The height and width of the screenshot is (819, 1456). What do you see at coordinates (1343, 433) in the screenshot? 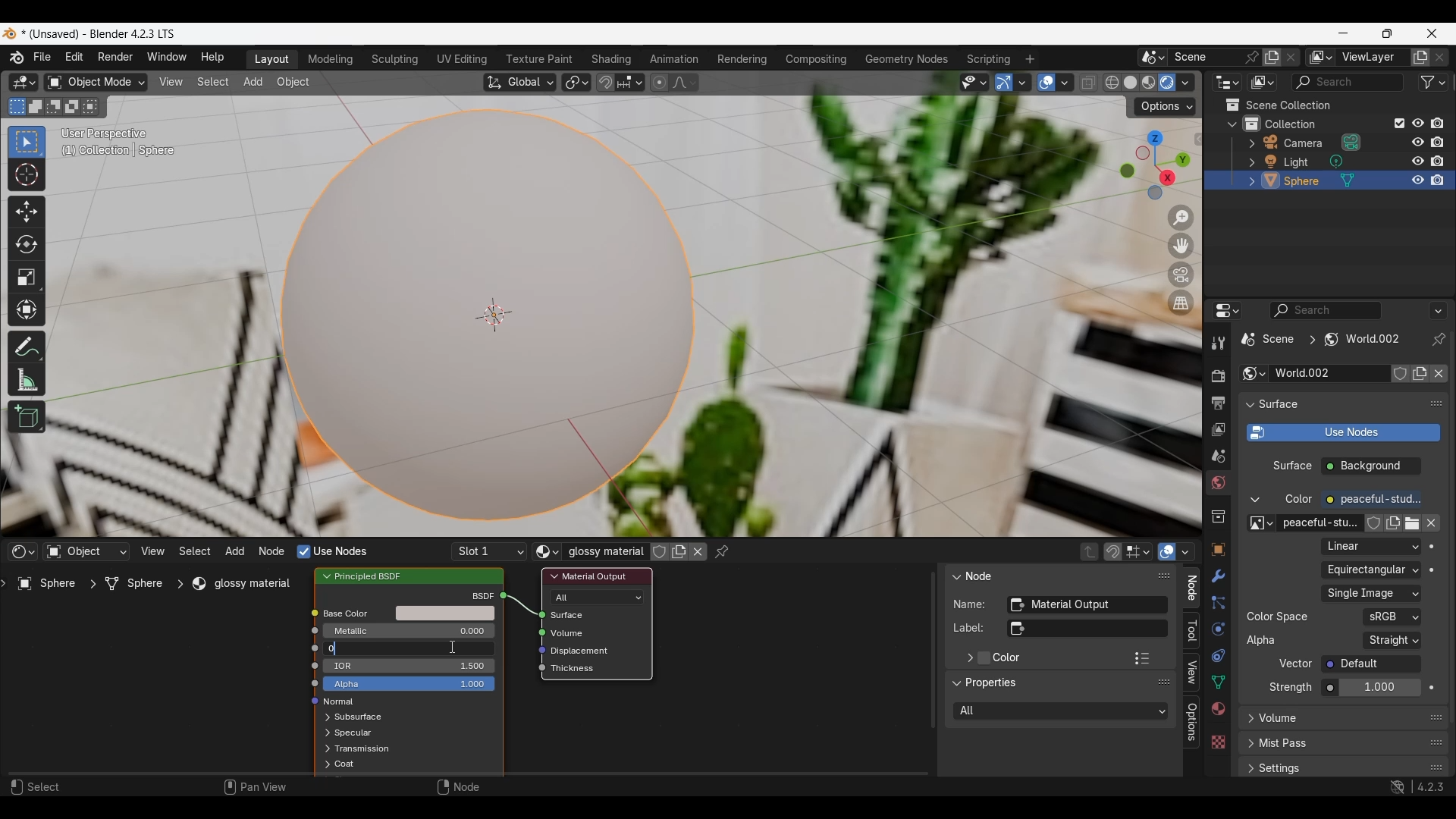
I see `Use shader notes to render` at bounding box center [1343, 433].